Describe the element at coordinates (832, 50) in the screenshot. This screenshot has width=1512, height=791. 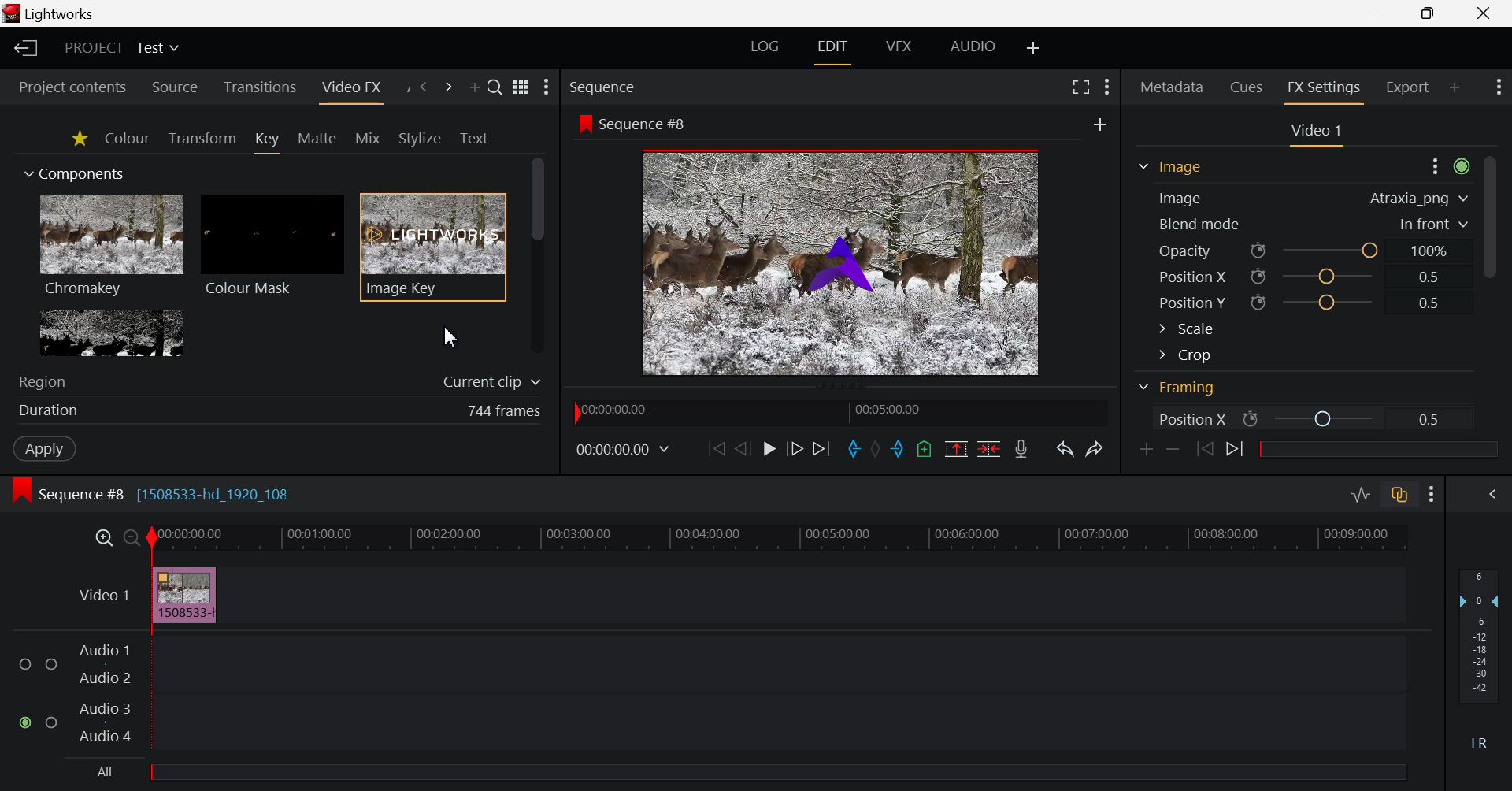
I see `EDIT Layout` at that location.